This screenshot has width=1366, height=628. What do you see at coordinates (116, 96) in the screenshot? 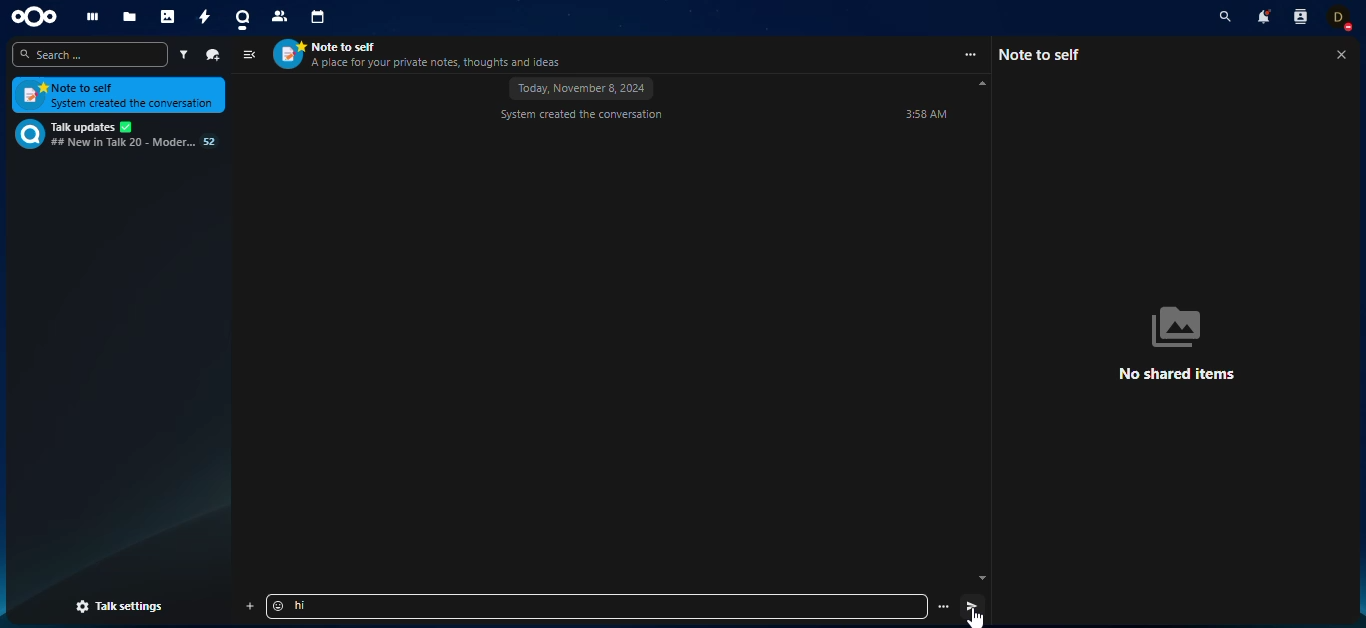
I see `note` at bounding box center [116, 96].